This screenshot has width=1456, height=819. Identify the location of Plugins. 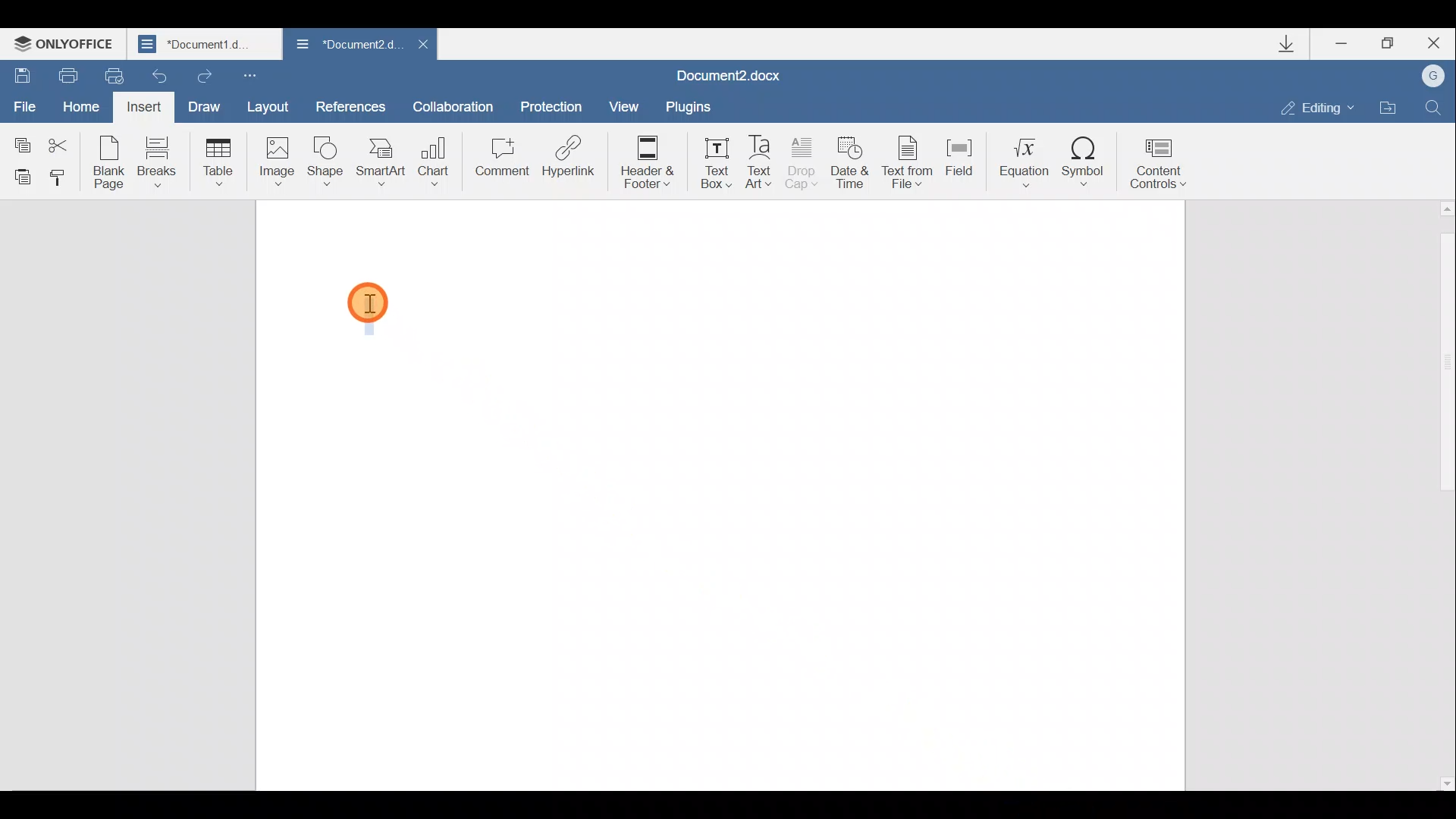
(686, 106).